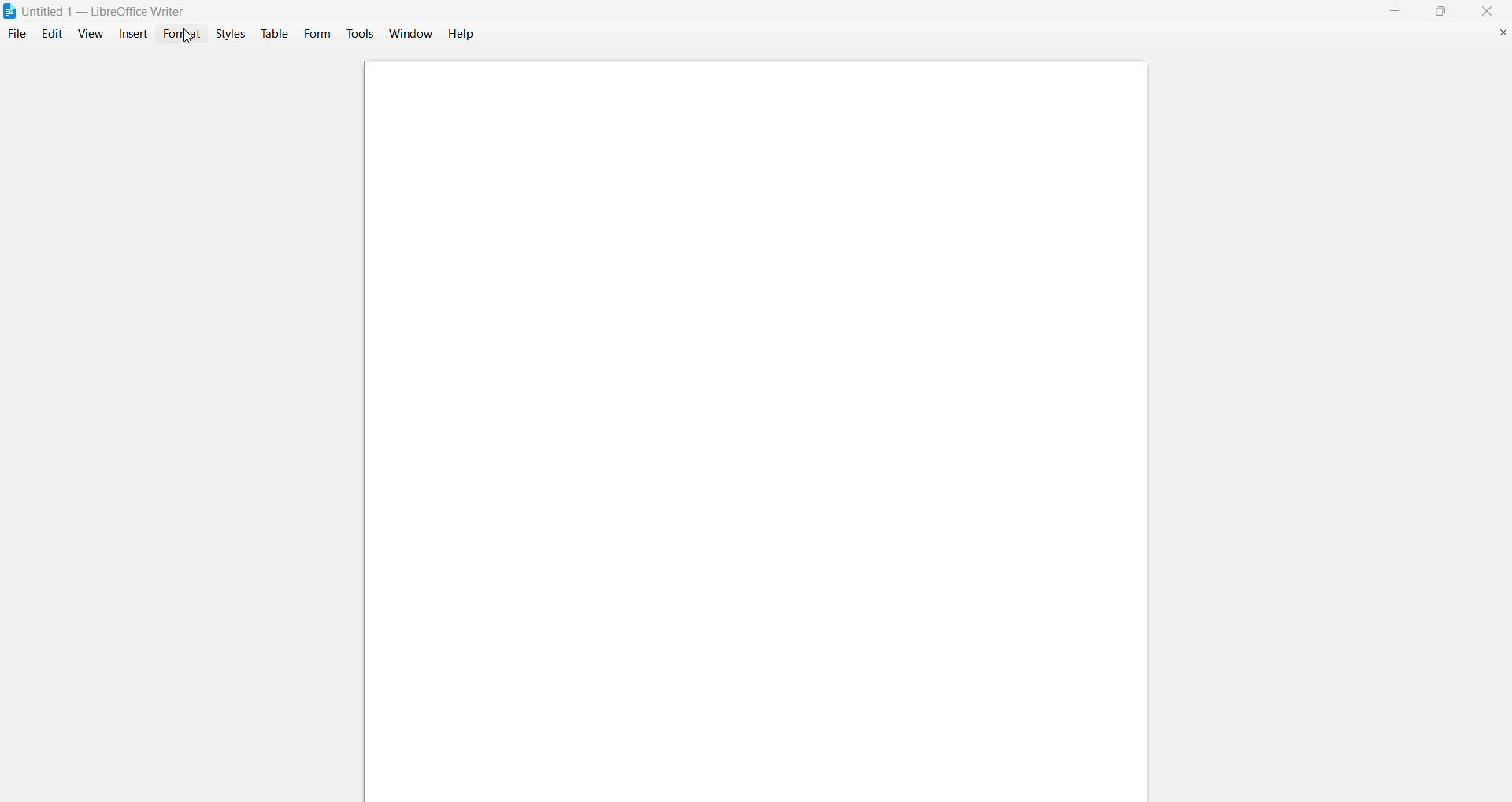 This screenshot has height=802, width=1512. Describe the element at coordinates (52, 35) in the screenshot. I see `edit` at that location.